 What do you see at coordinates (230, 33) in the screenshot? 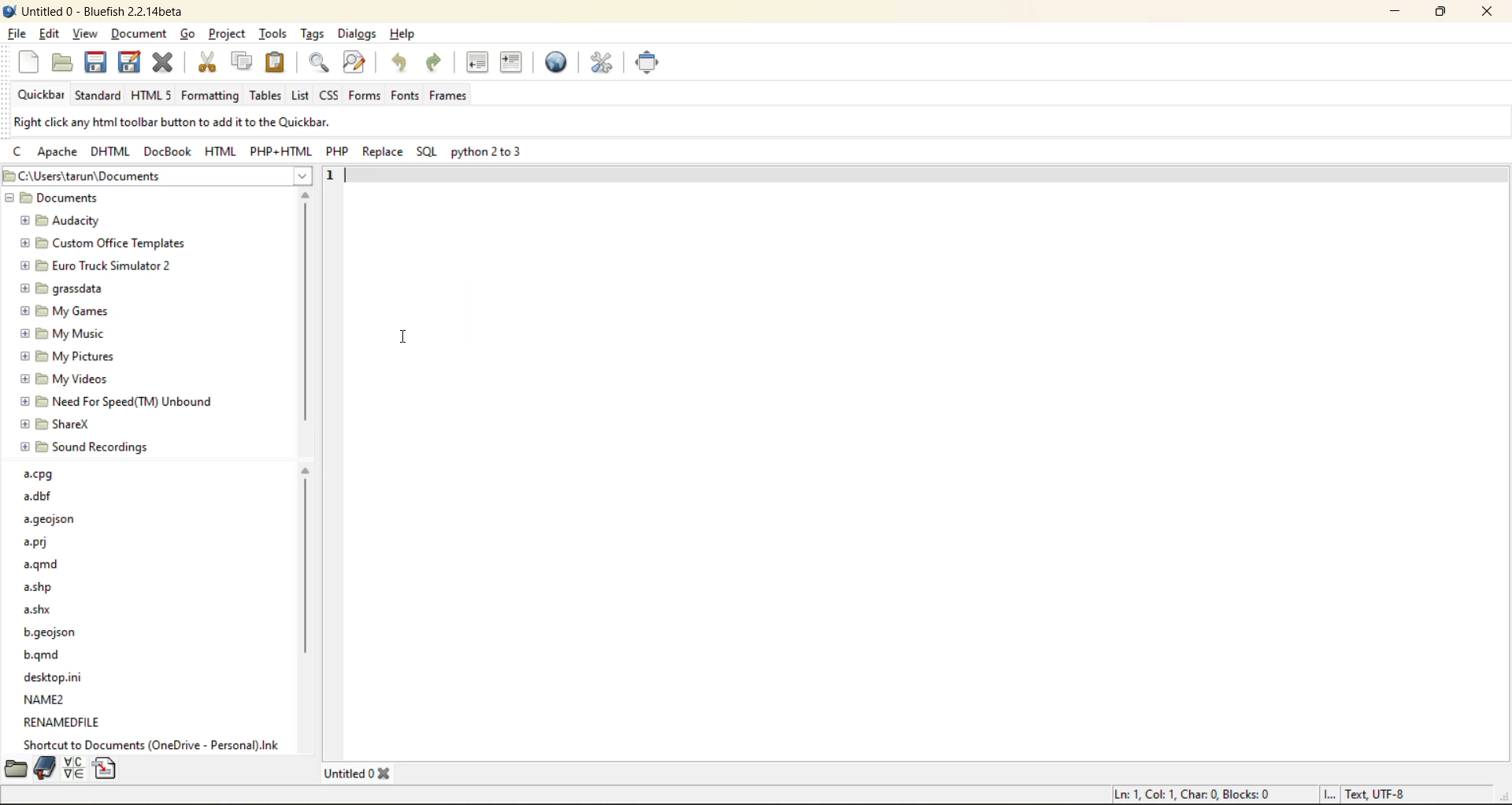
I see `project` at bounding box center [230, 33].